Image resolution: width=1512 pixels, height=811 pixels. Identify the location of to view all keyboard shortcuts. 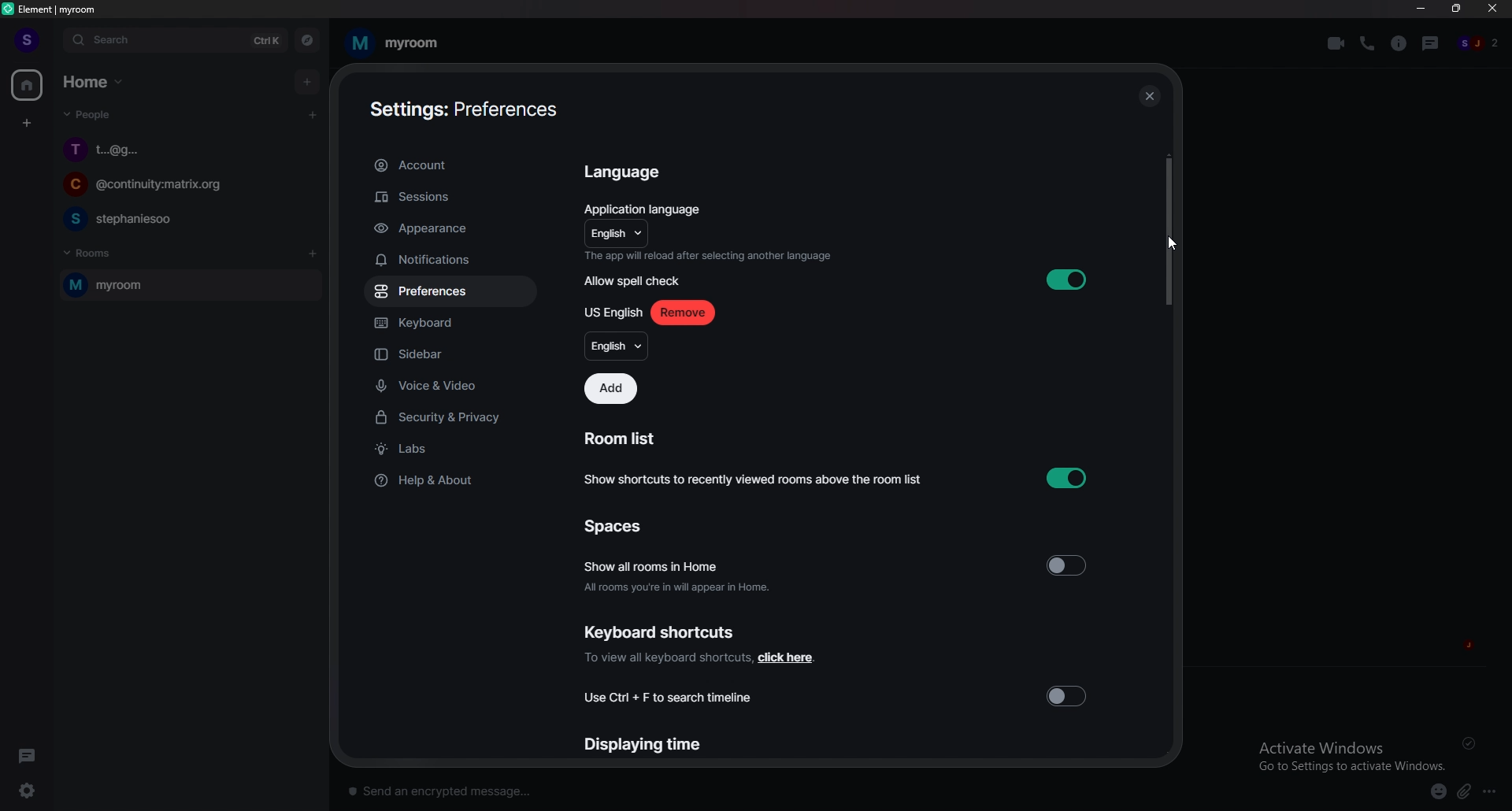
(699, 658).